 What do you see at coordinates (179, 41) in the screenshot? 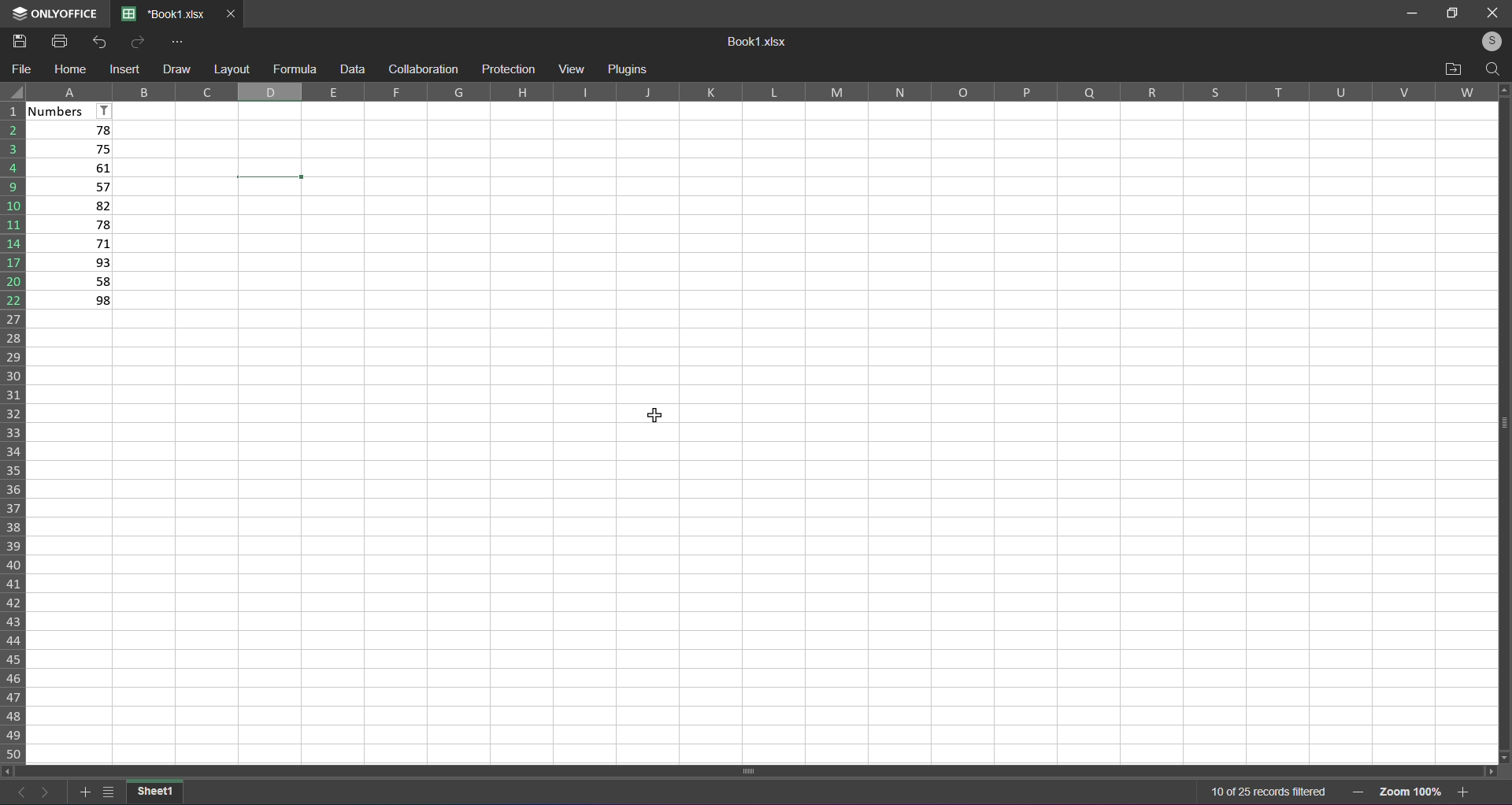
I see `more` at bounding box center [179, 41].